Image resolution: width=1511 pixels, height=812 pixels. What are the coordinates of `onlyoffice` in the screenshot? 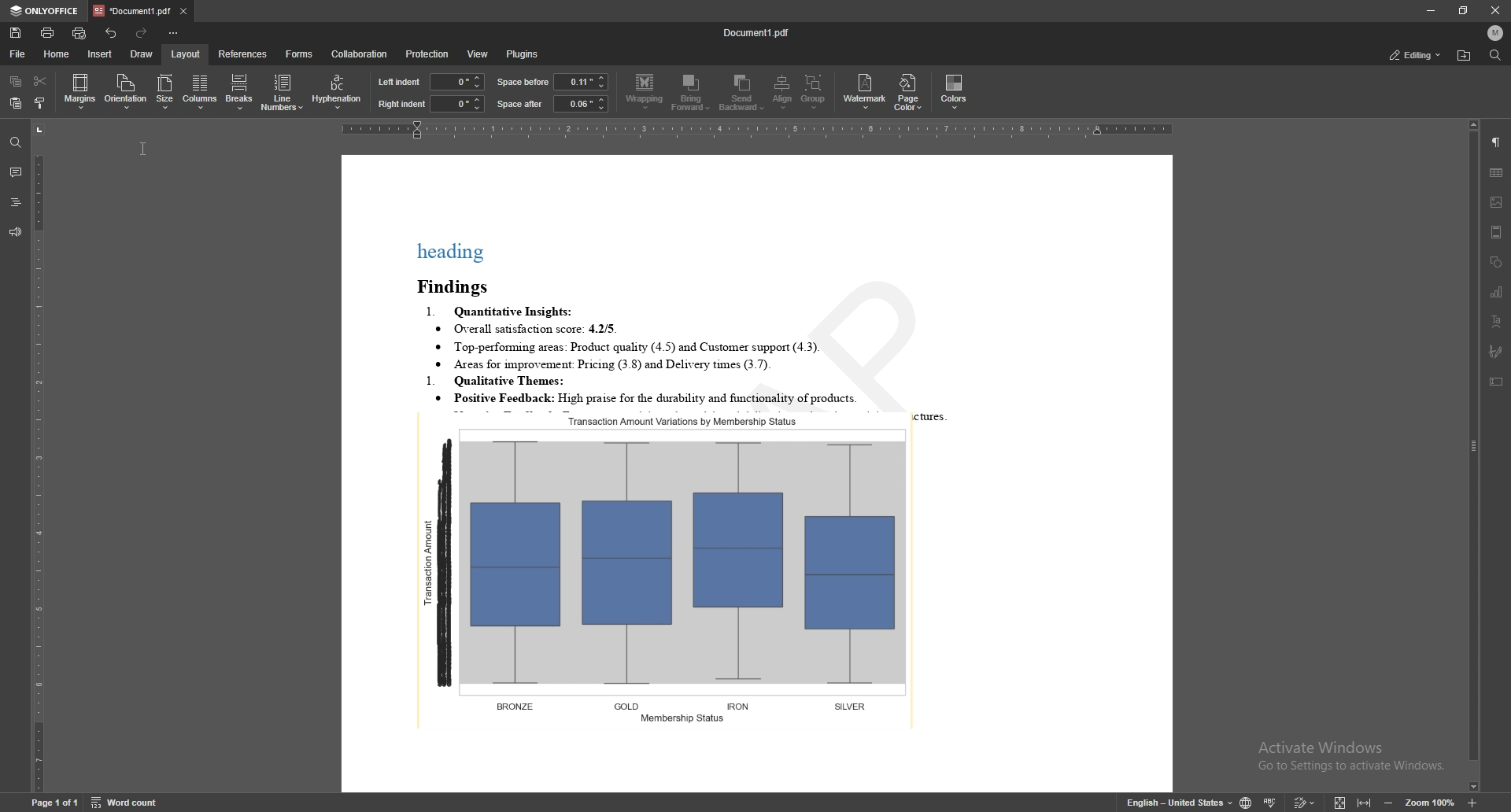 It's located at (46, 11).